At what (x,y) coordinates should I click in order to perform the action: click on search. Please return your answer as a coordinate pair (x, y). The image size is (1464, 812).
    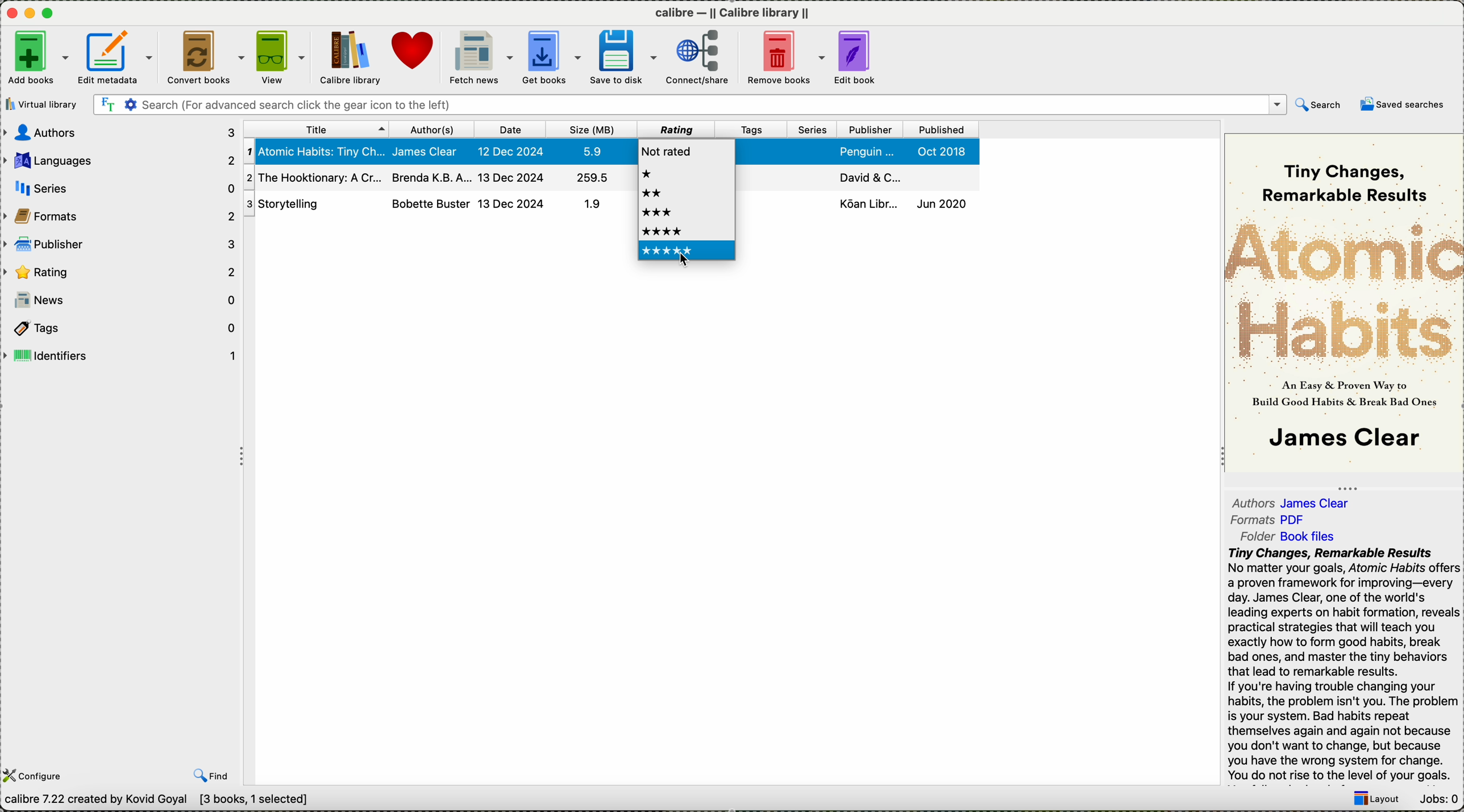
    Looking at the image, I should click on (1321, 105).